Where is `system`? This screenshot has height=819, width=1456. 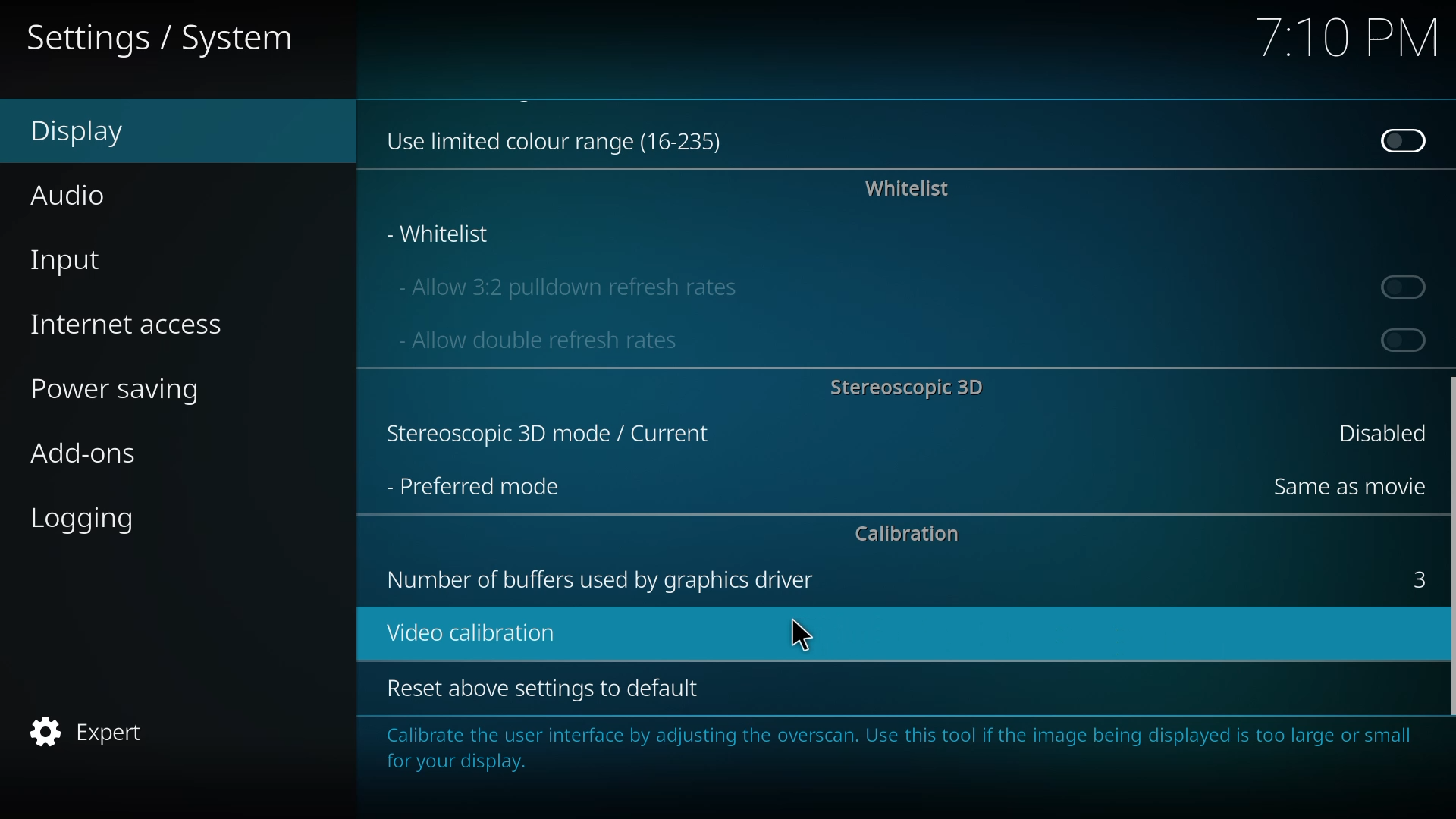
system is located at coordinates (165, 39).